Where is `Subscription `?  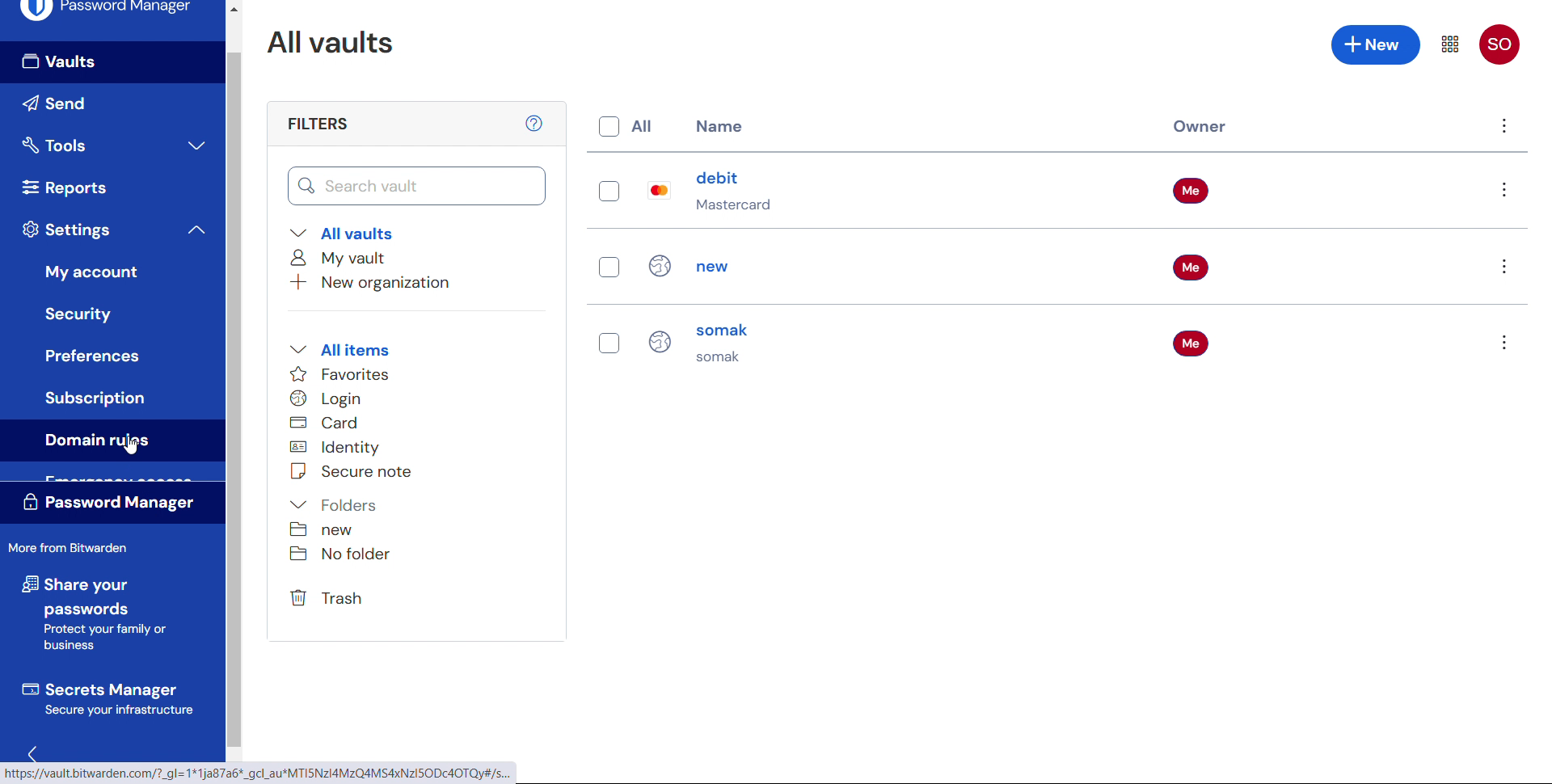
Subscription  is located at coordinates (95, 398).